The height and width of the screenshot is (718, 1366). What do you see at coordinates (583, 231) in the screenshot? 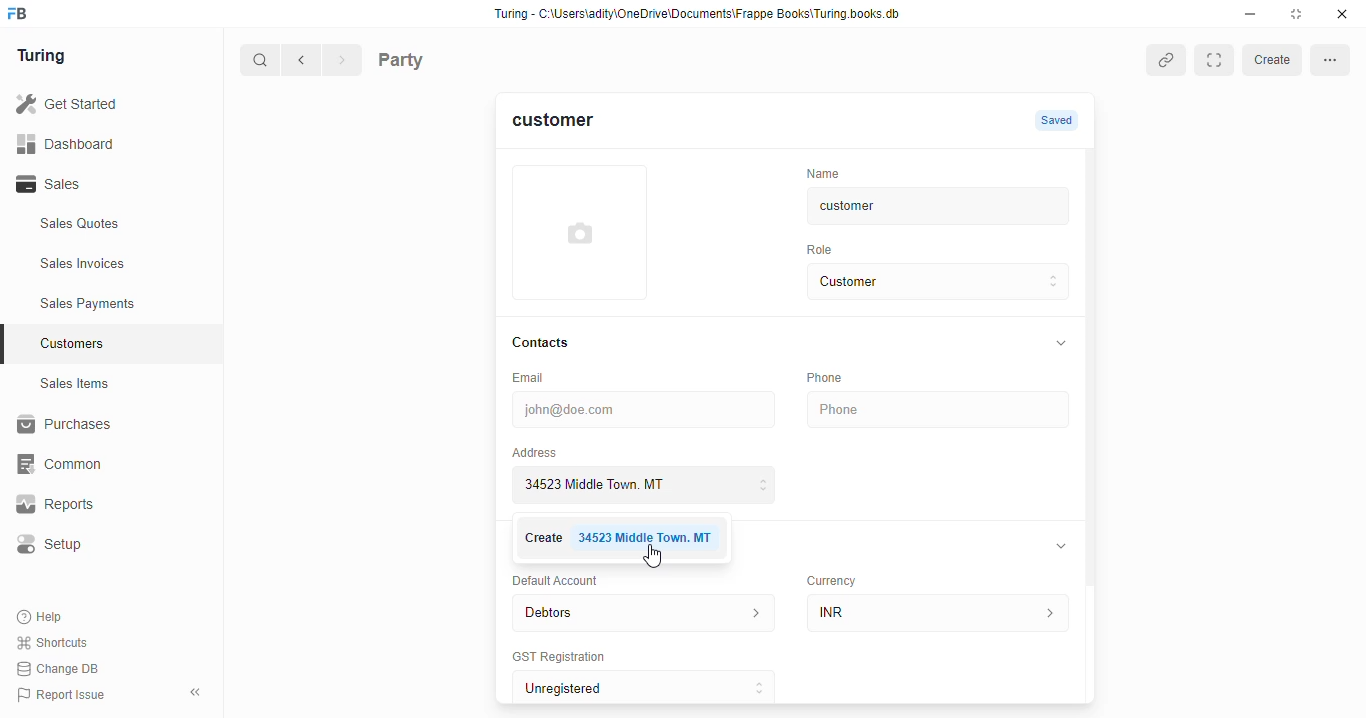
I see `add profile photo` at bounding box center [583, 231].